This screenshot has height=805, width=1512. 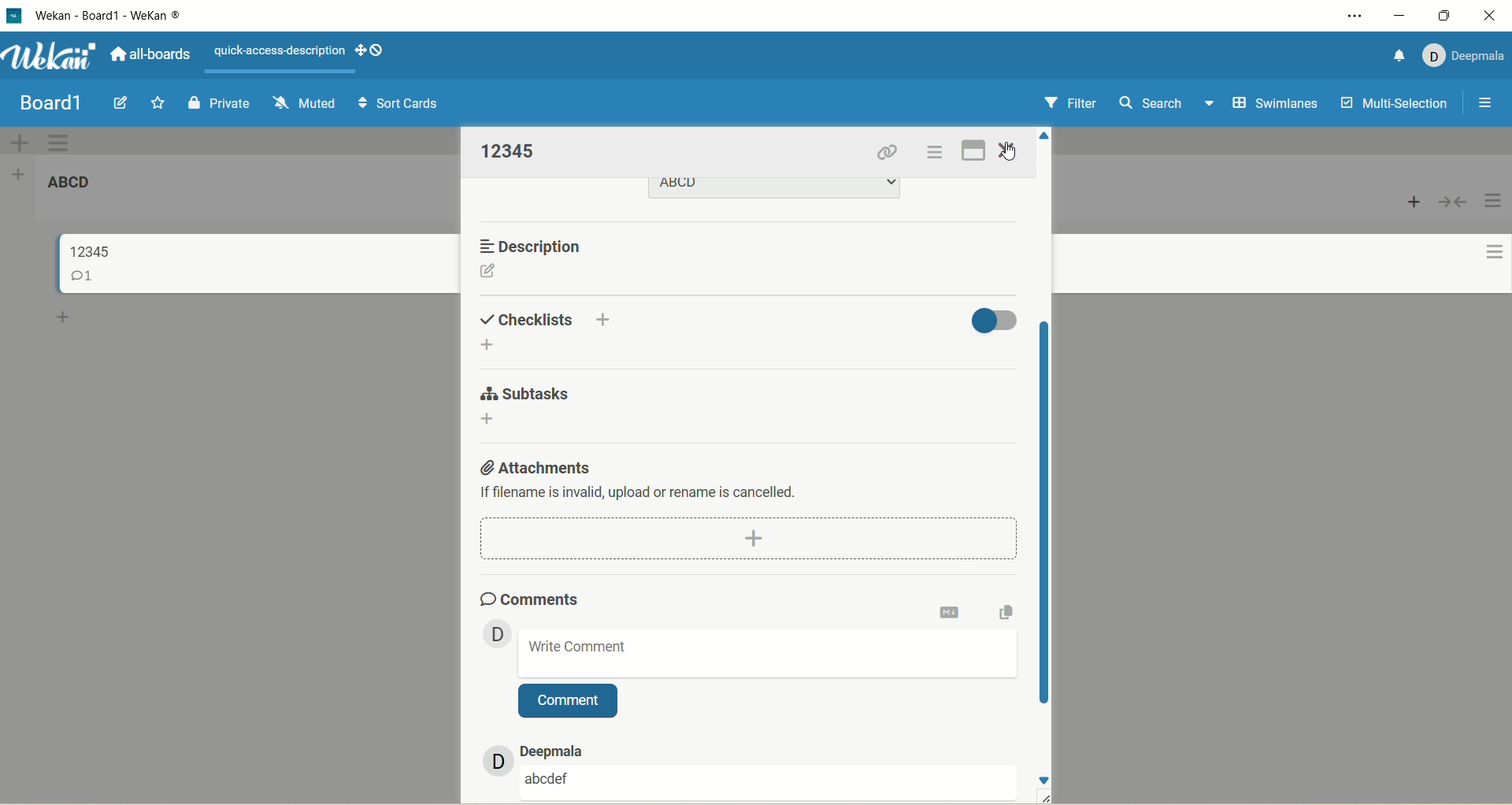 I want to click on add card, so click(x=1414, y=202).